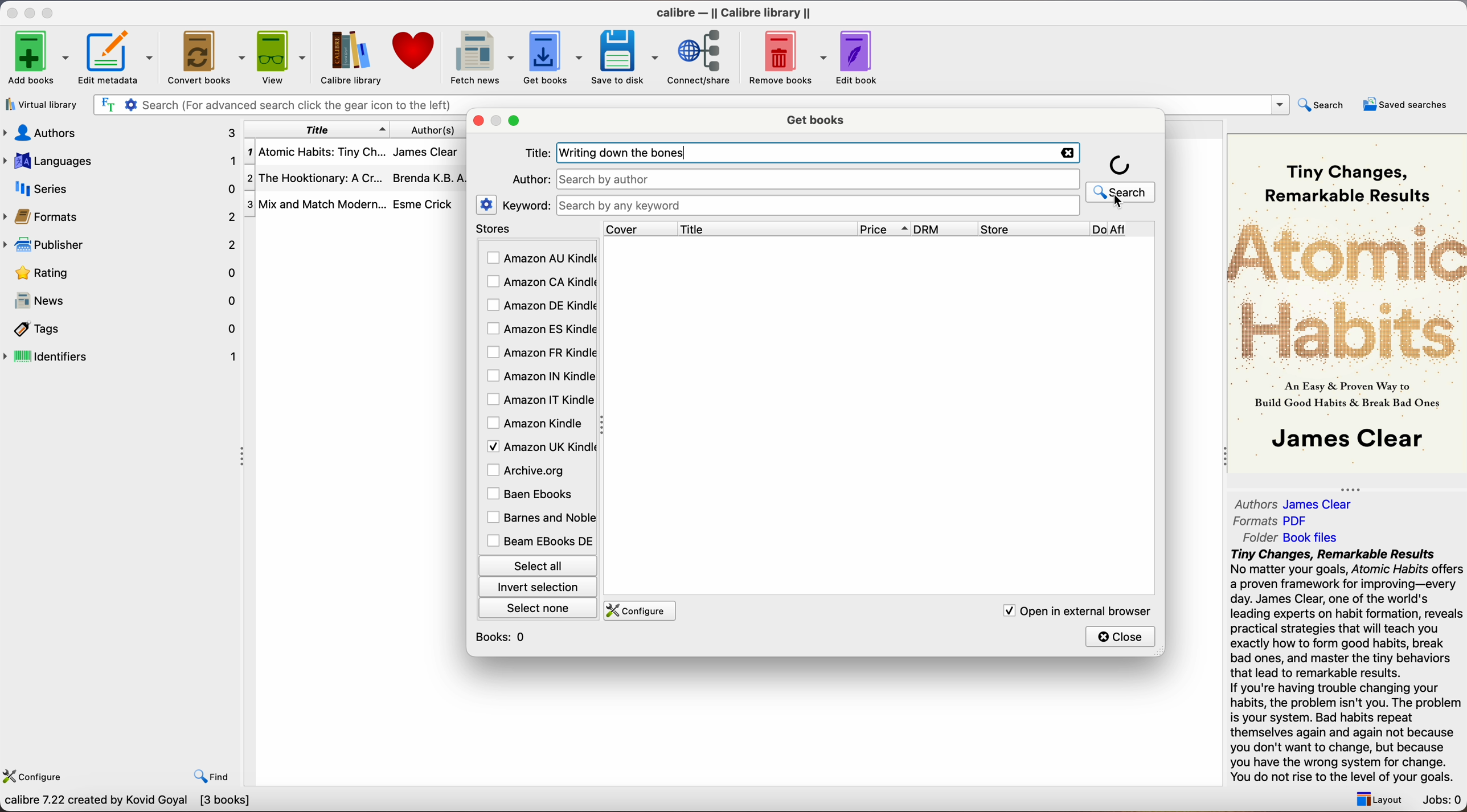 The height and width of the screenshot is (812, 1467). Describe the element at coordinates (516, 121) in the screenshot. I see `maximize` at that location.